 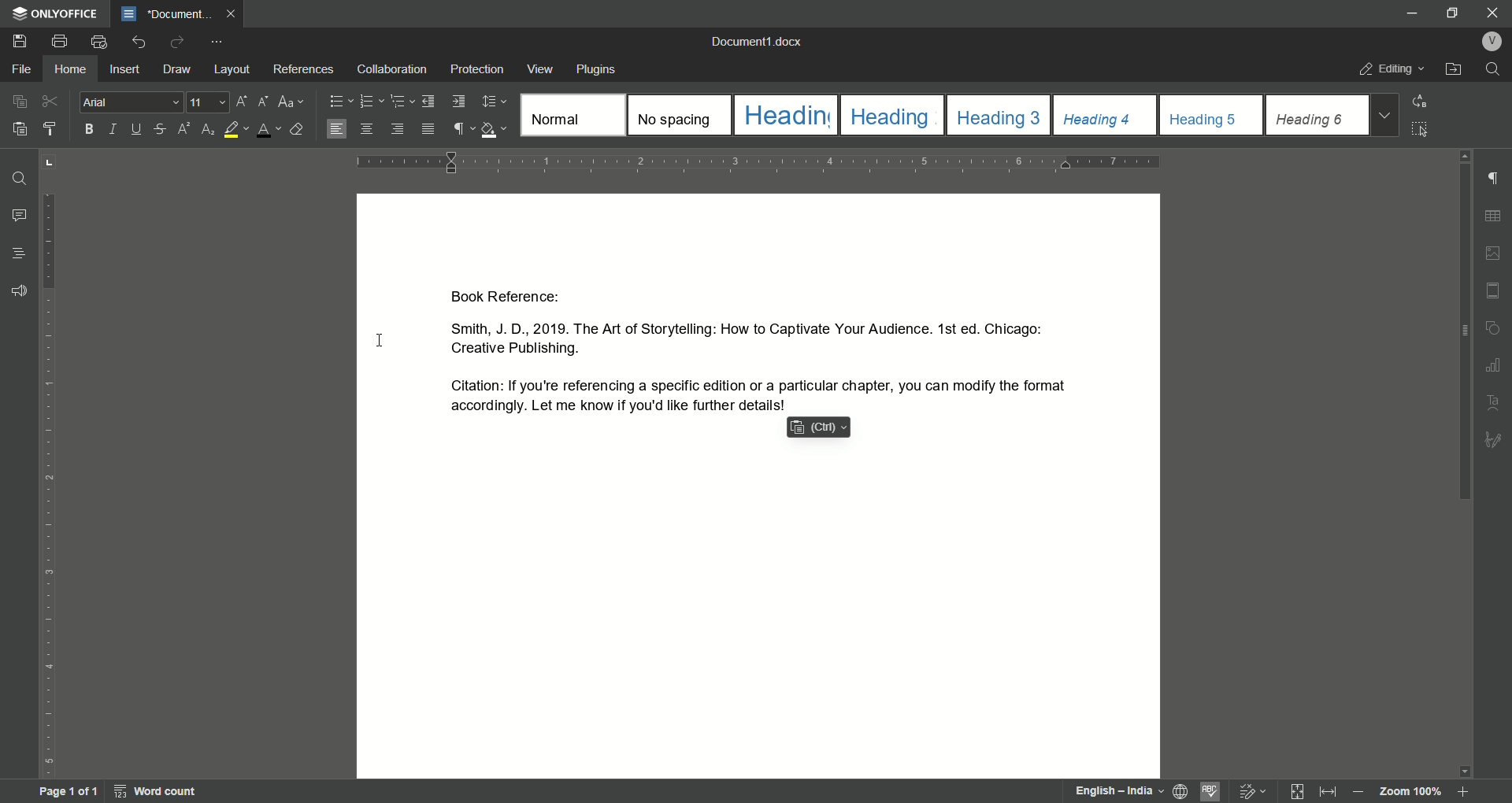 What do you see at coordinates (817, 427) in the screenshot?
I see `ctrl` at bounding box center [817, 427].